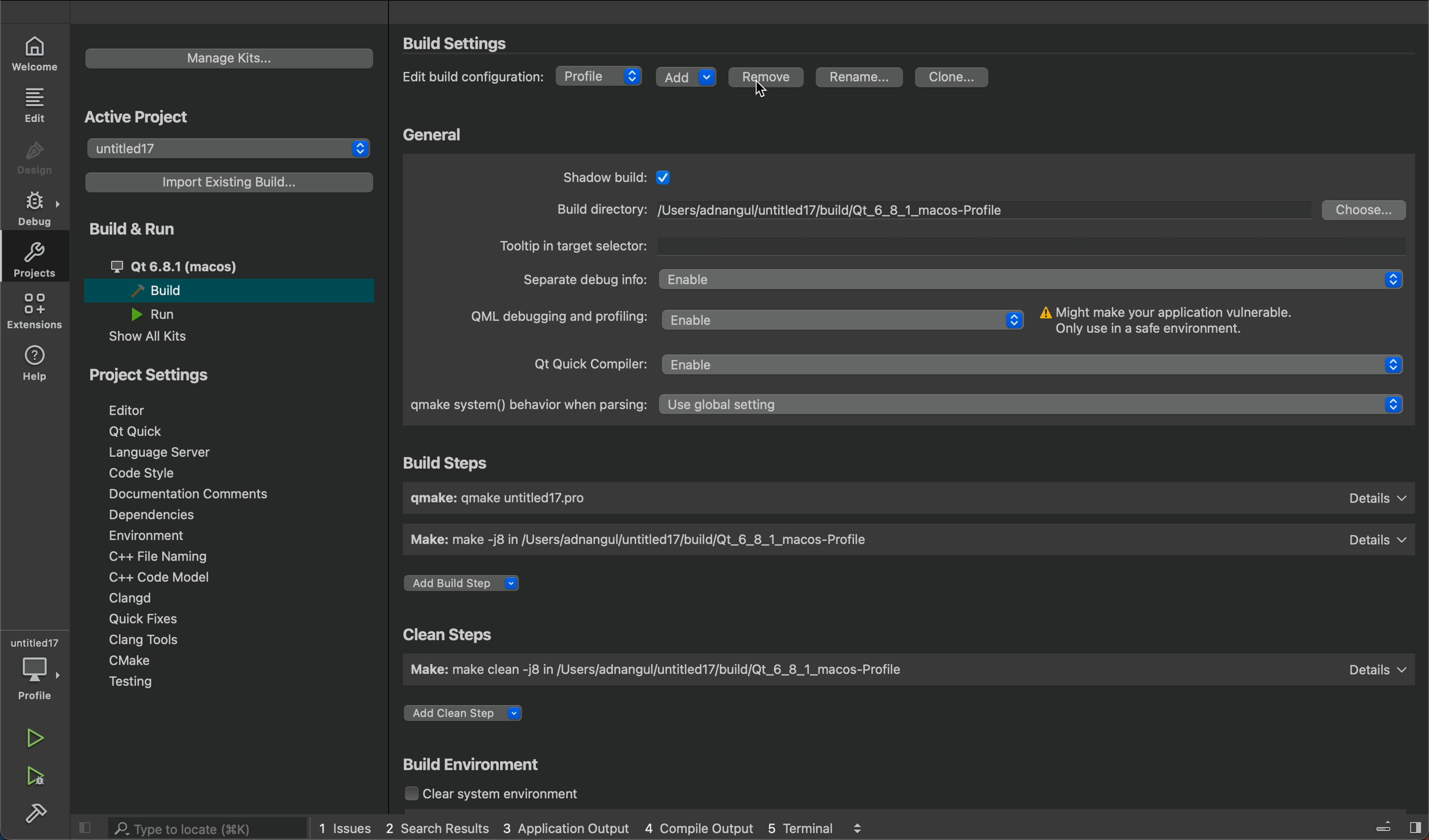 This screenshot has width=1429, height=840. What do you see at coordinates (686, 79) in the screenshot?
I see `add` at bounding box center [686, 79].